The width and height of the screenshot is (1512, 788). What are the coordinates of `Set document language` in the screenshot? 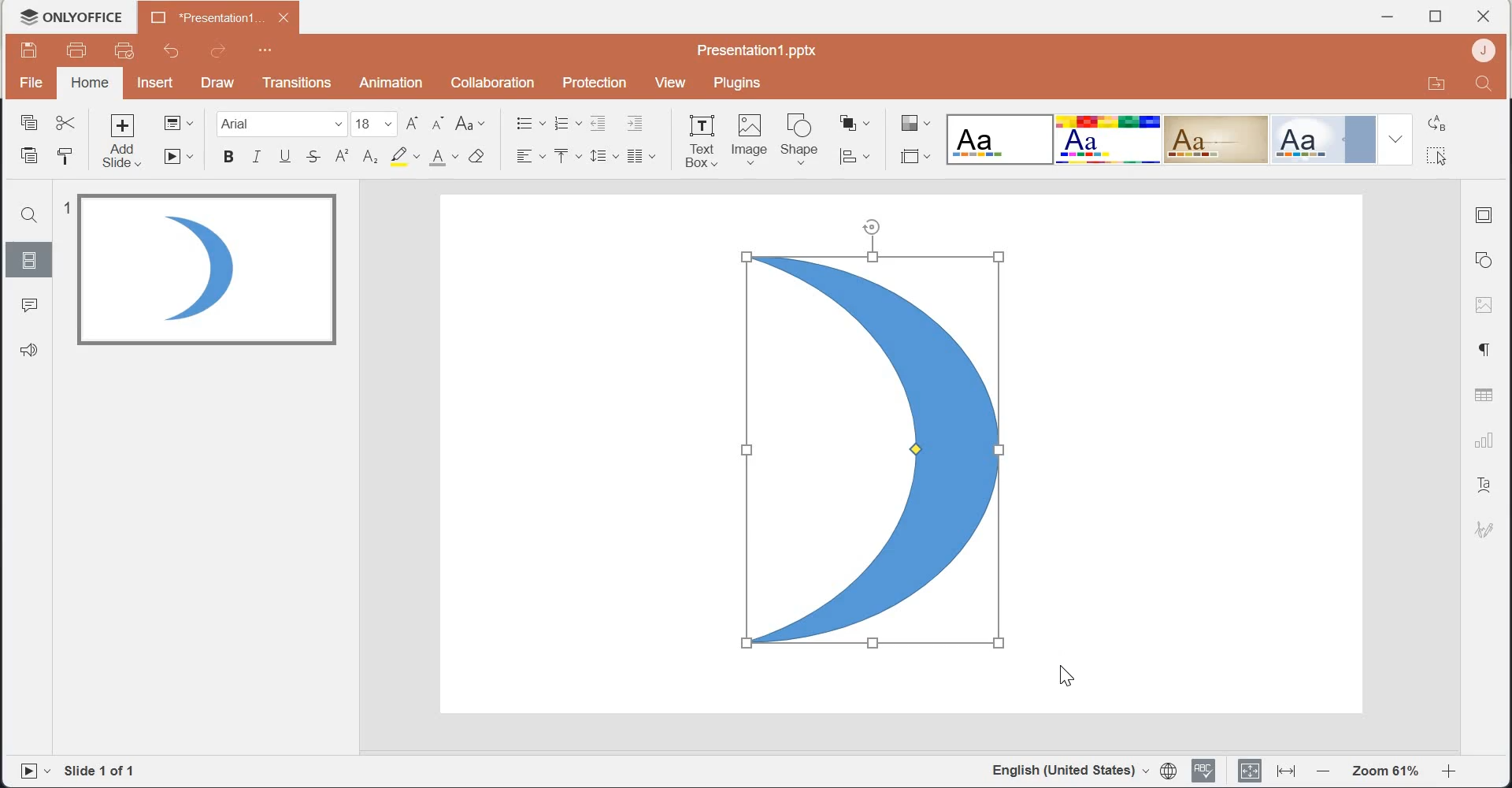 It's located at (1170, 770).